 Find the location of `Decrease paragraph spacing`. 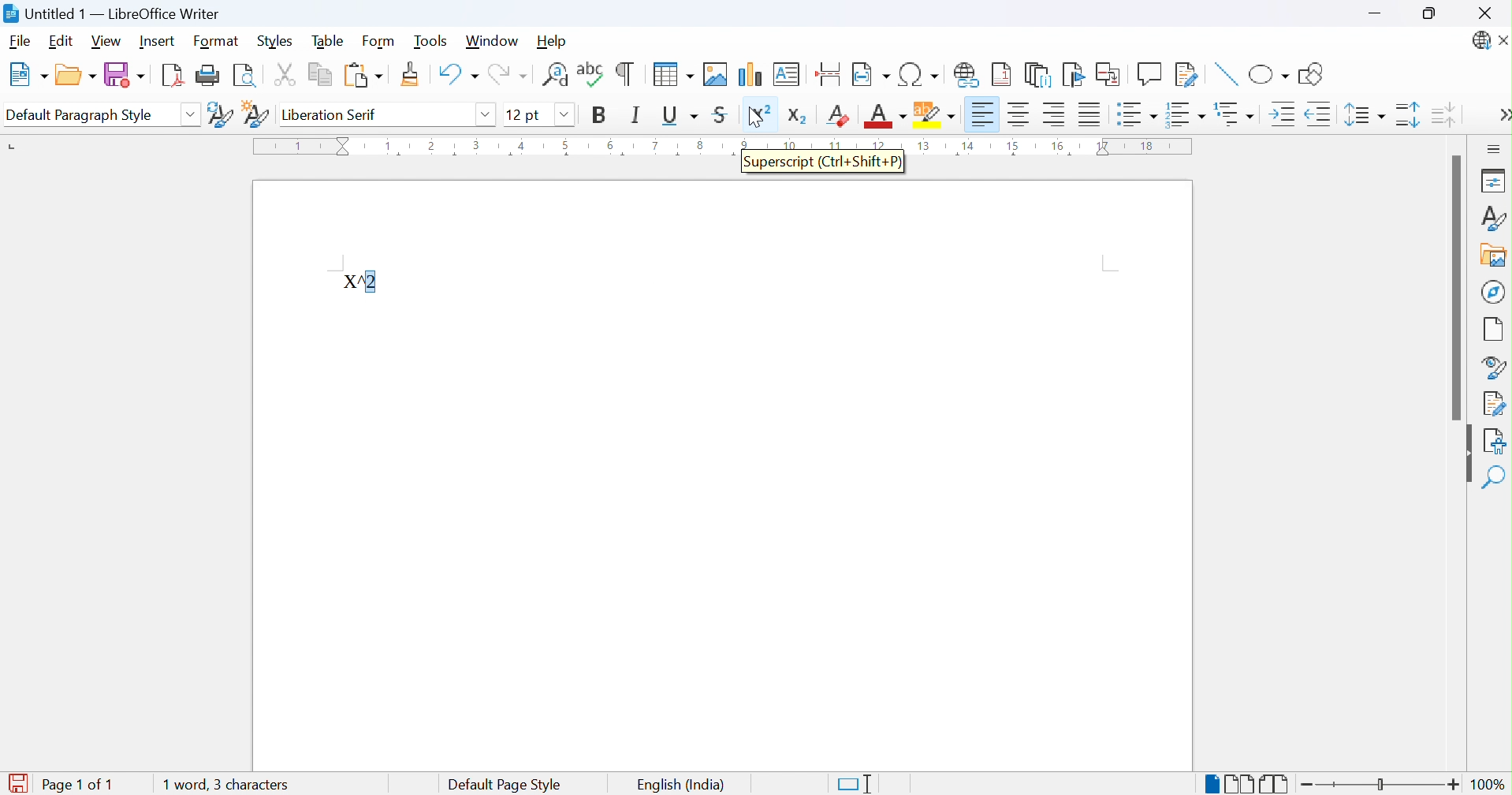

Decrease paragraph spacing is located at coordinates (1444, 116).